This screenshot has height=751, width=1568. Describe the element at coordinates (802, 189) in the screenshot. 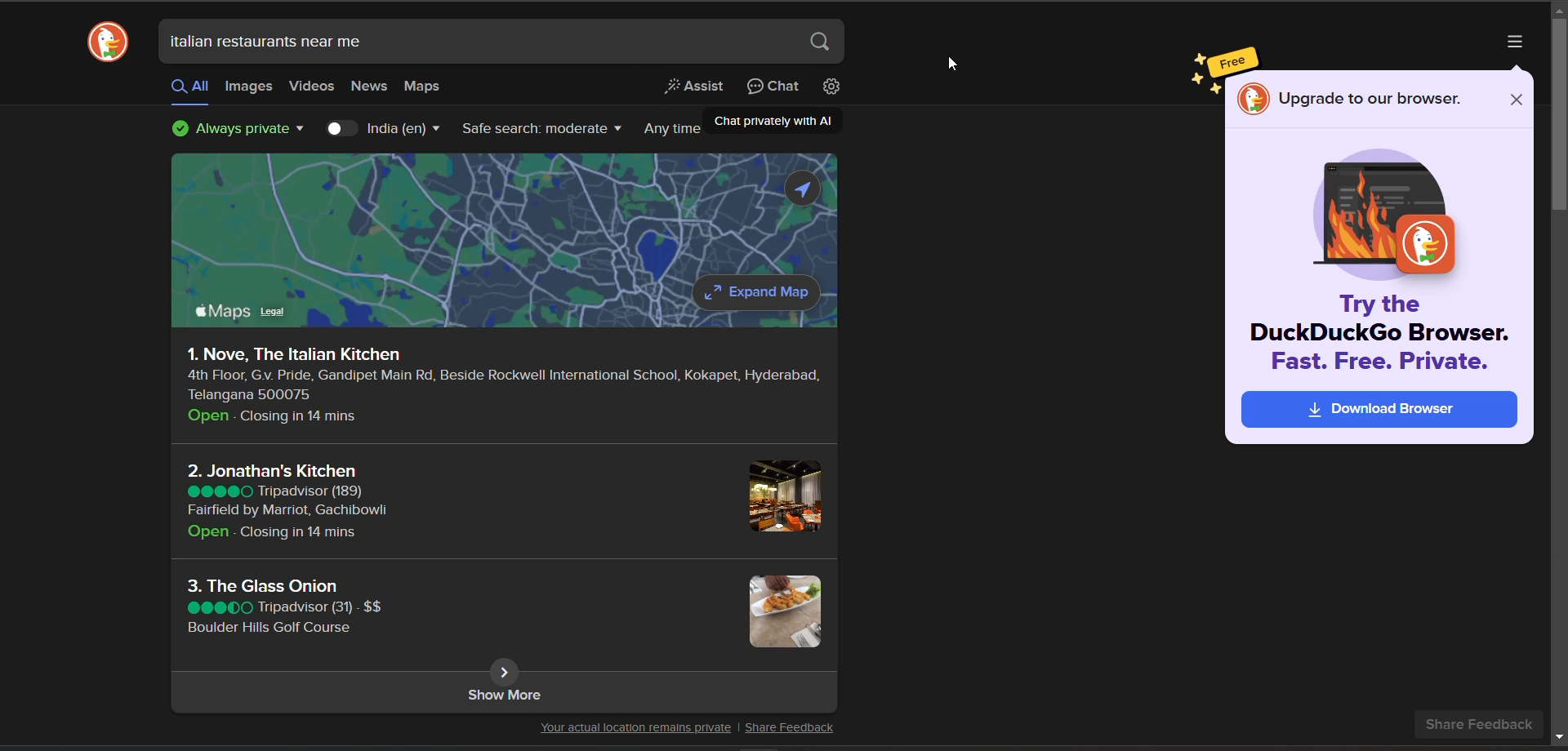

I see `enable location` at that location.